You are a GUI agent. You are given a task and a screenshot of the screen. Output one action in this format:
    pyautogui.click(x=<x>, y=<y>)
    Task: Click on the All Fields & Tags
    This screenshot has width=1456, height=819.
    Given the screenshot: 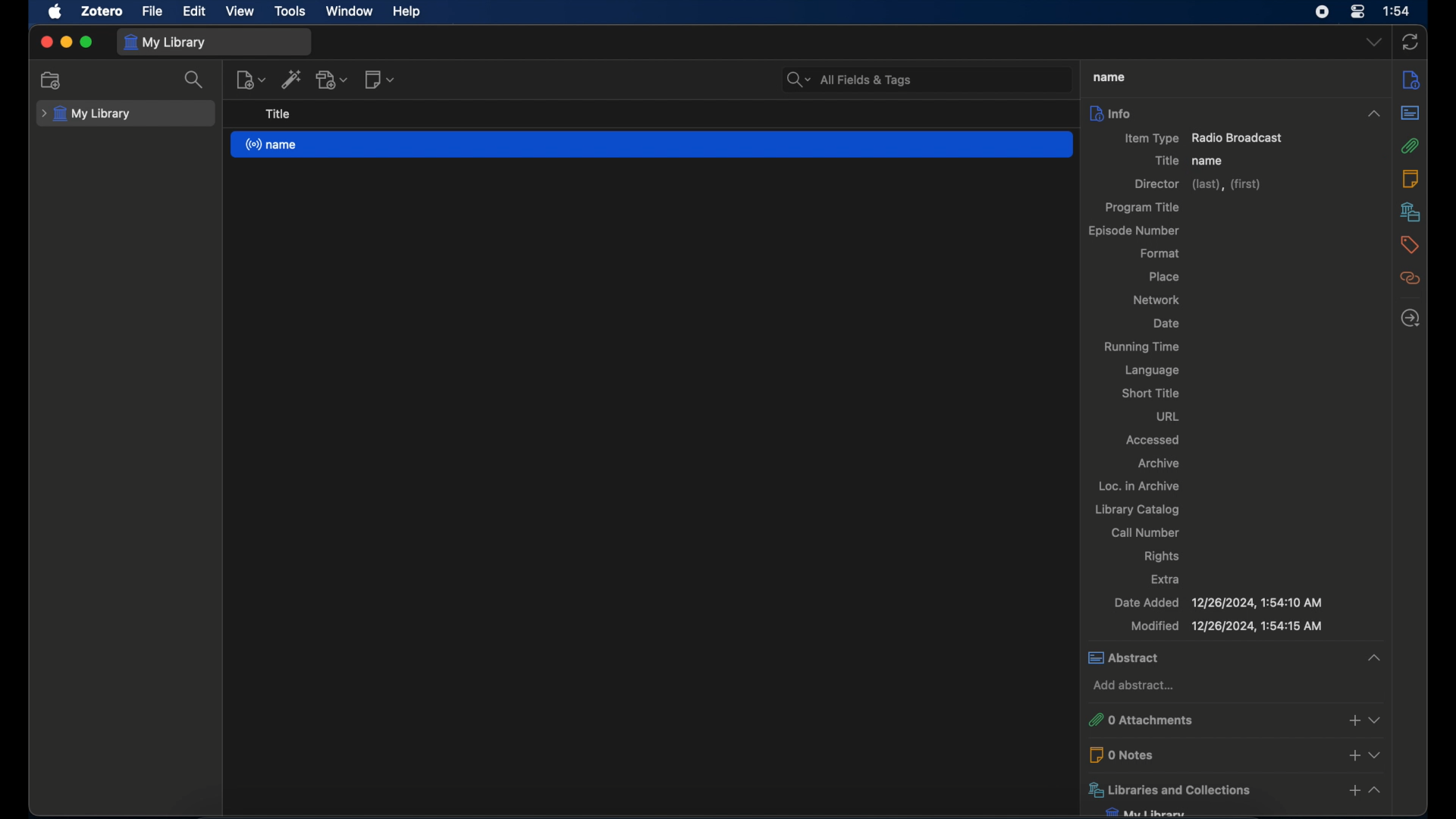 What is the action you would take?
    pyautogui.click(x=925, y=77)
    